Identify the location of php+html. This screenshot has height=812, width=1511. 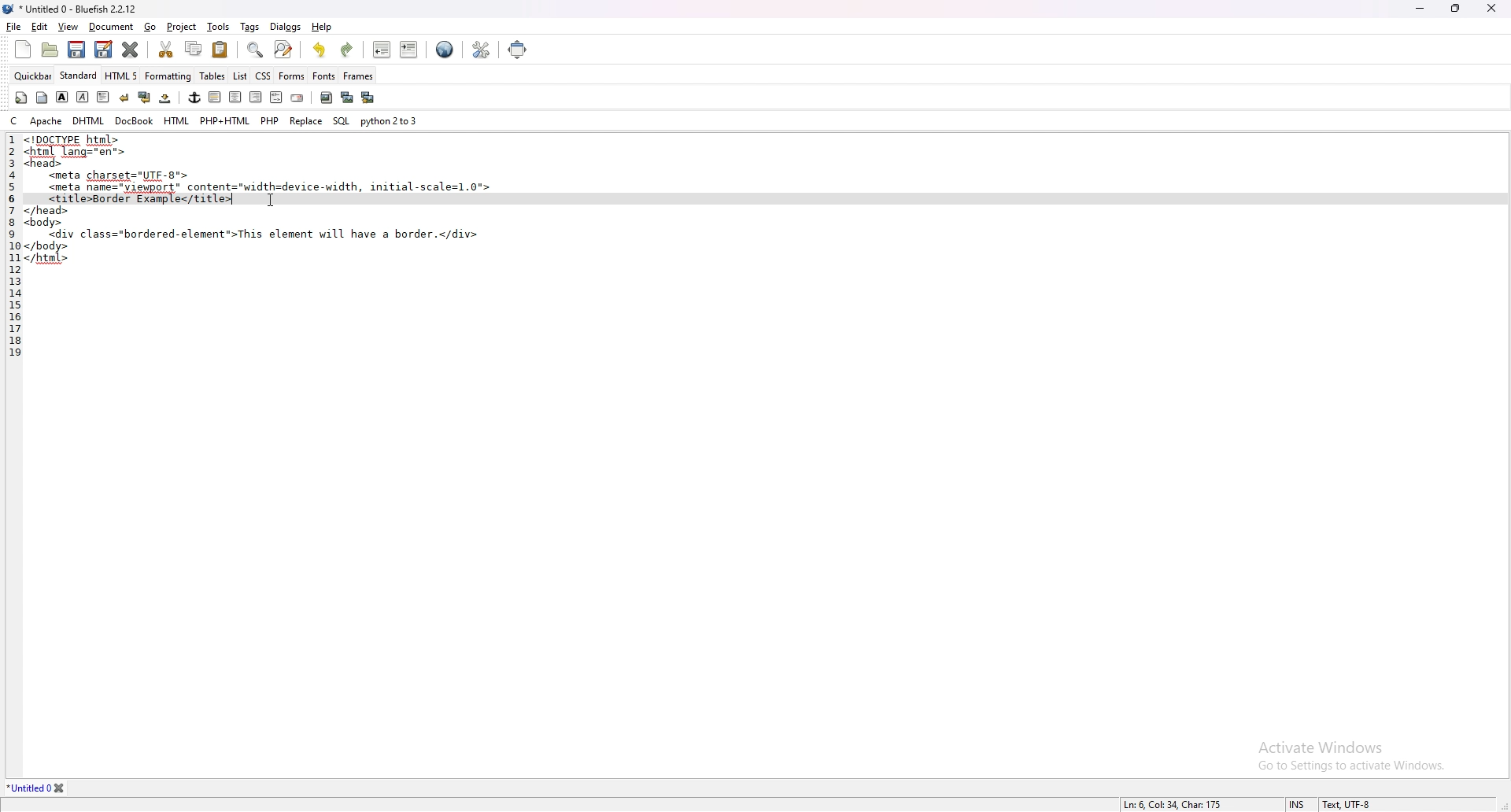
(225, 120).